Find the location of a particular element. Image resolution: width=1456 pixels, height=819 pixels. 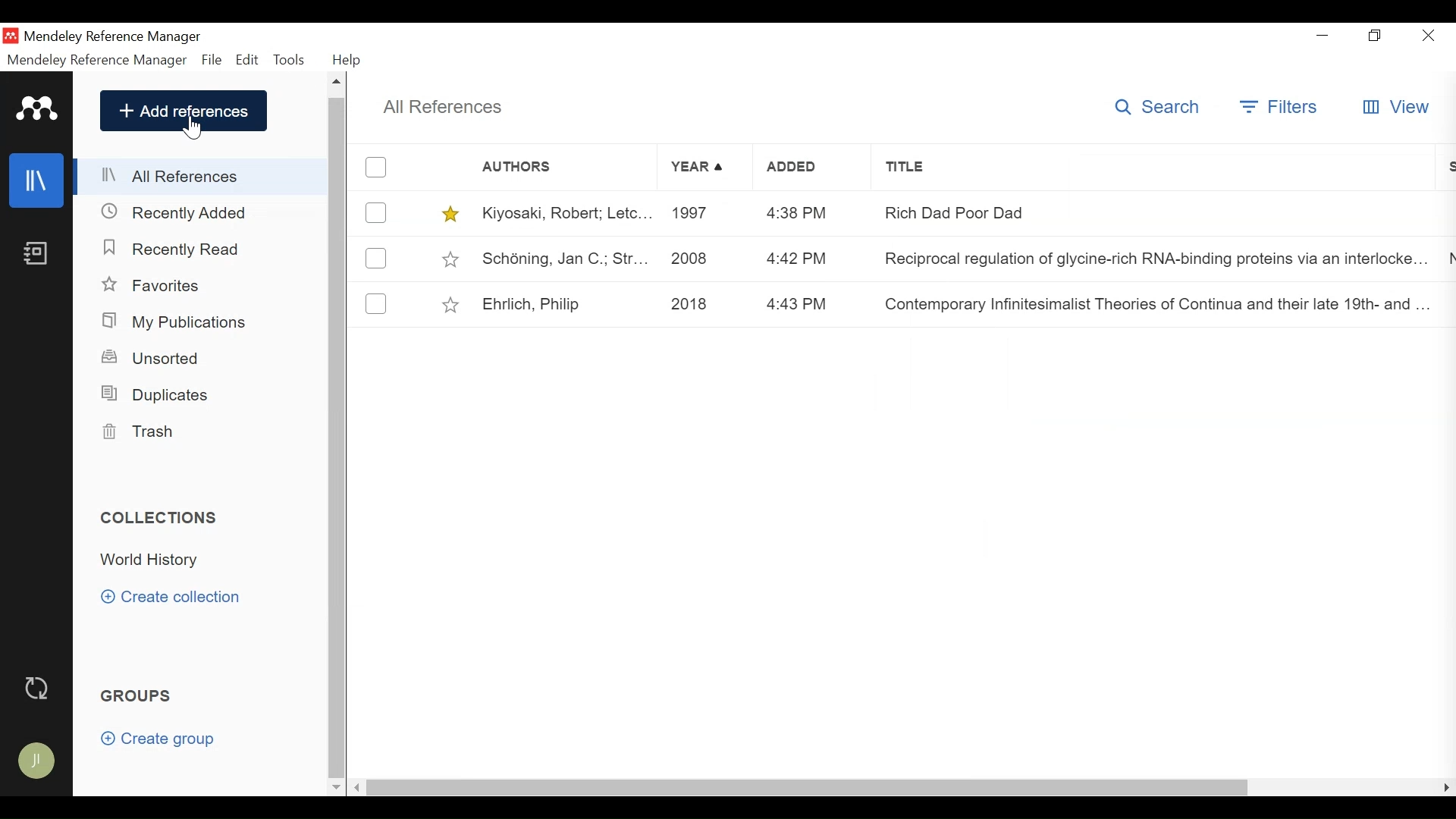

Groups is located at coordinates (140, 696).